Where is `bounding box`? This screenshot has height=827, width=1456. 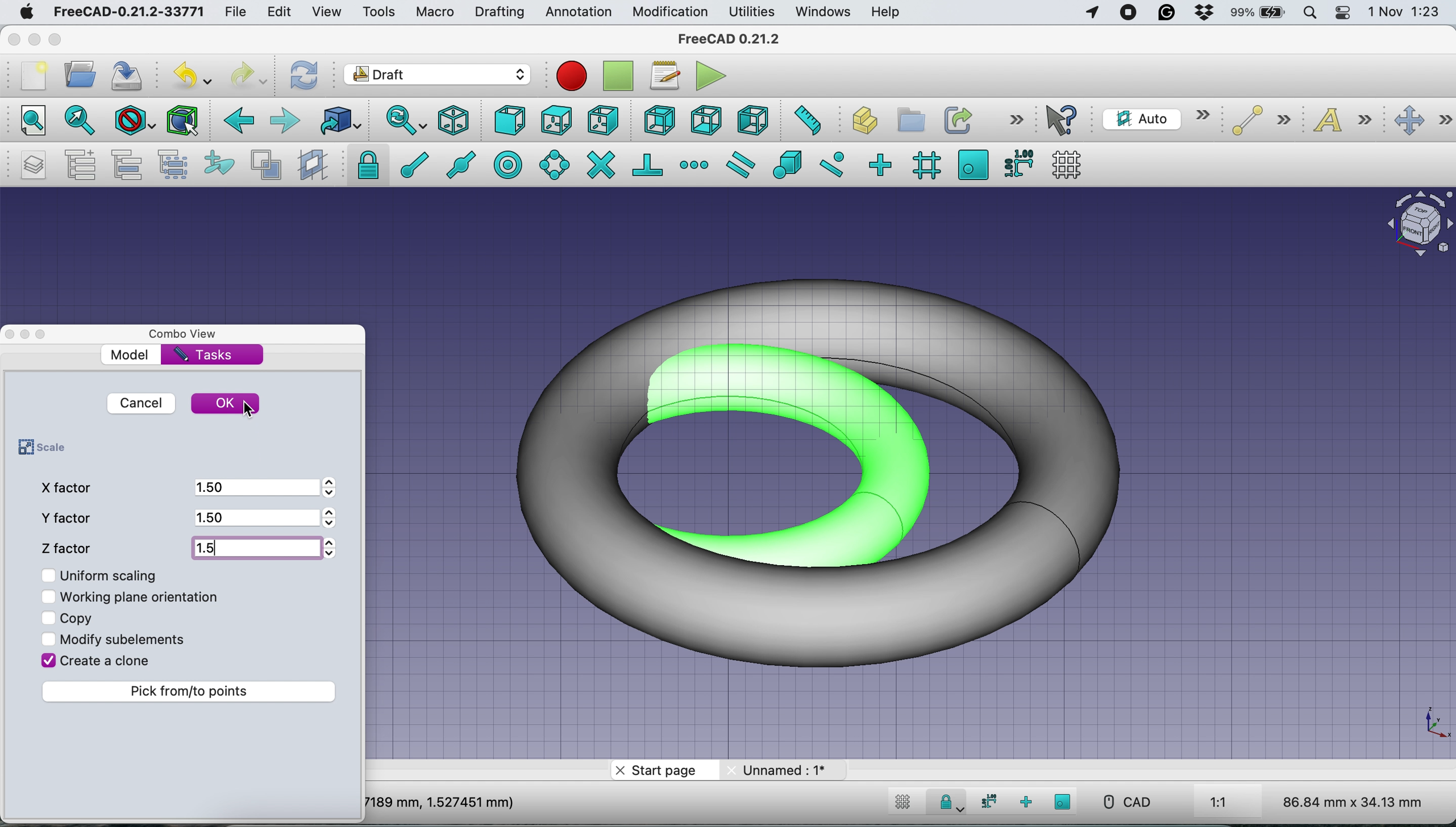 bounding box is located at coordinates (183, 121).